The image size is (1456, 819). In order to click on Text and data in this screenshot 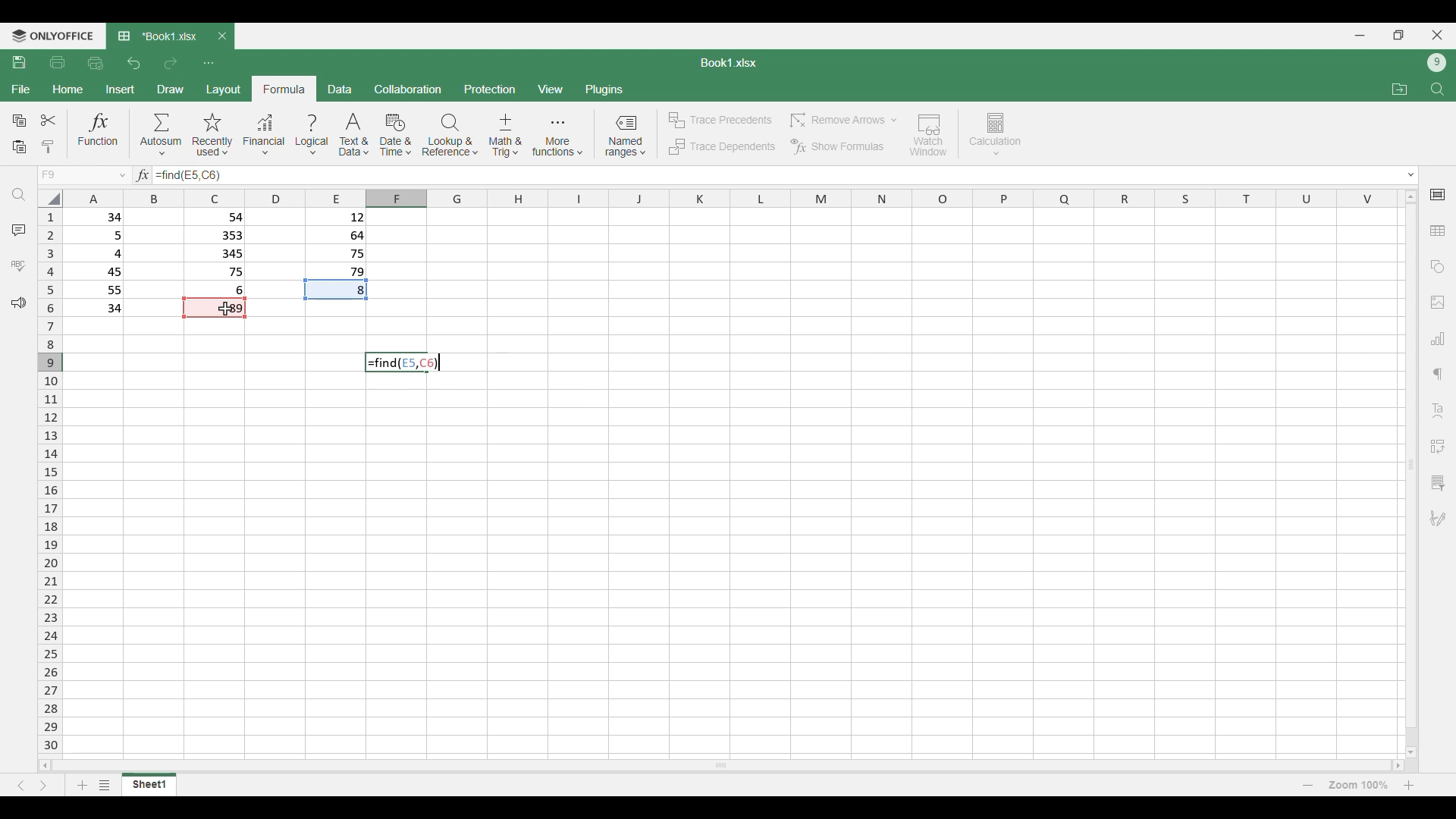, I will do `click(354, 135)`.